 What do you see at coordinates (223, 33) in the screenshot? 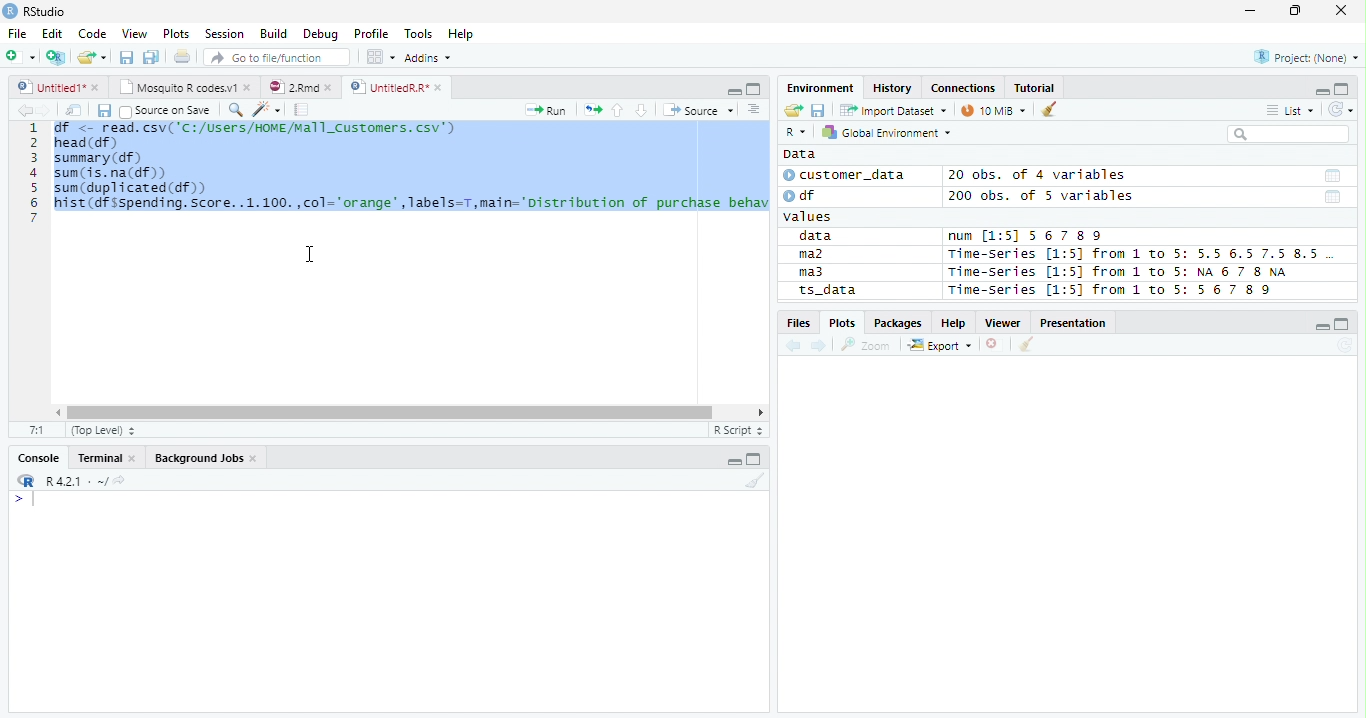
I see `Session` at bounding box center [223, 33].